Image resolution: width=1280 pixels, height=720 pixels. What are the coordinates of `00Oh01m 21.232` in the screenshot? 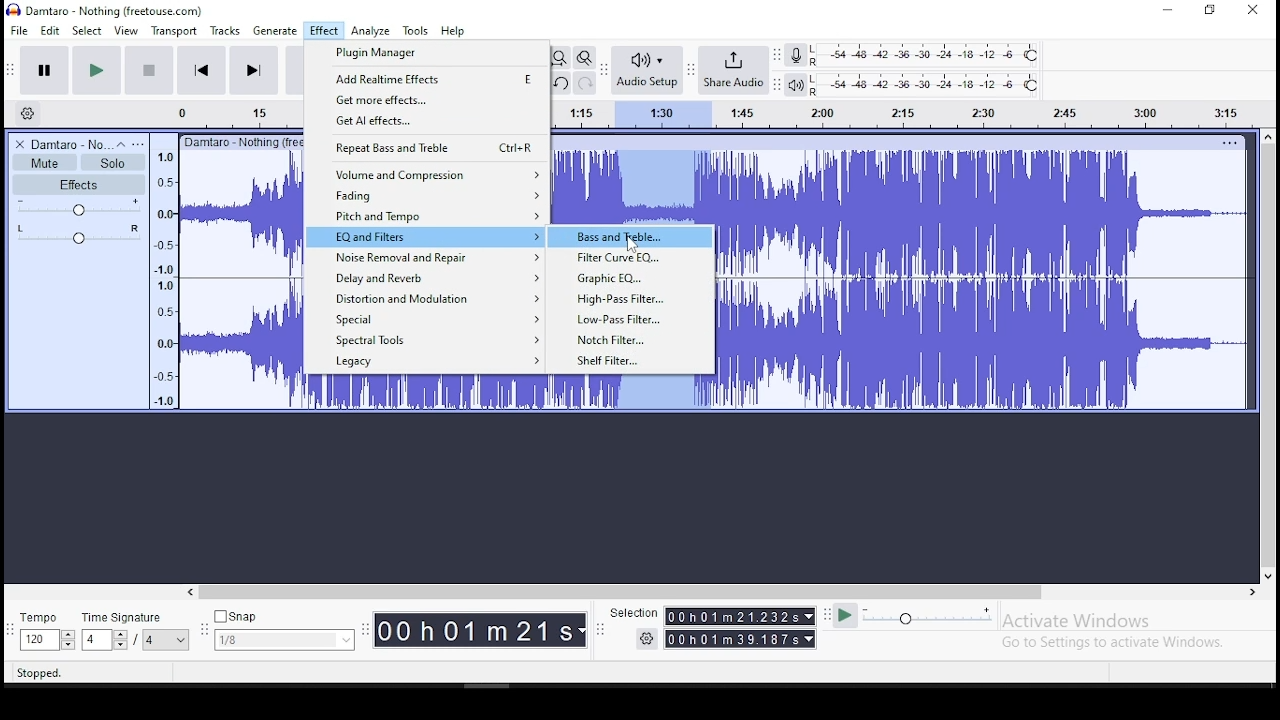 It's located at (731, 616).